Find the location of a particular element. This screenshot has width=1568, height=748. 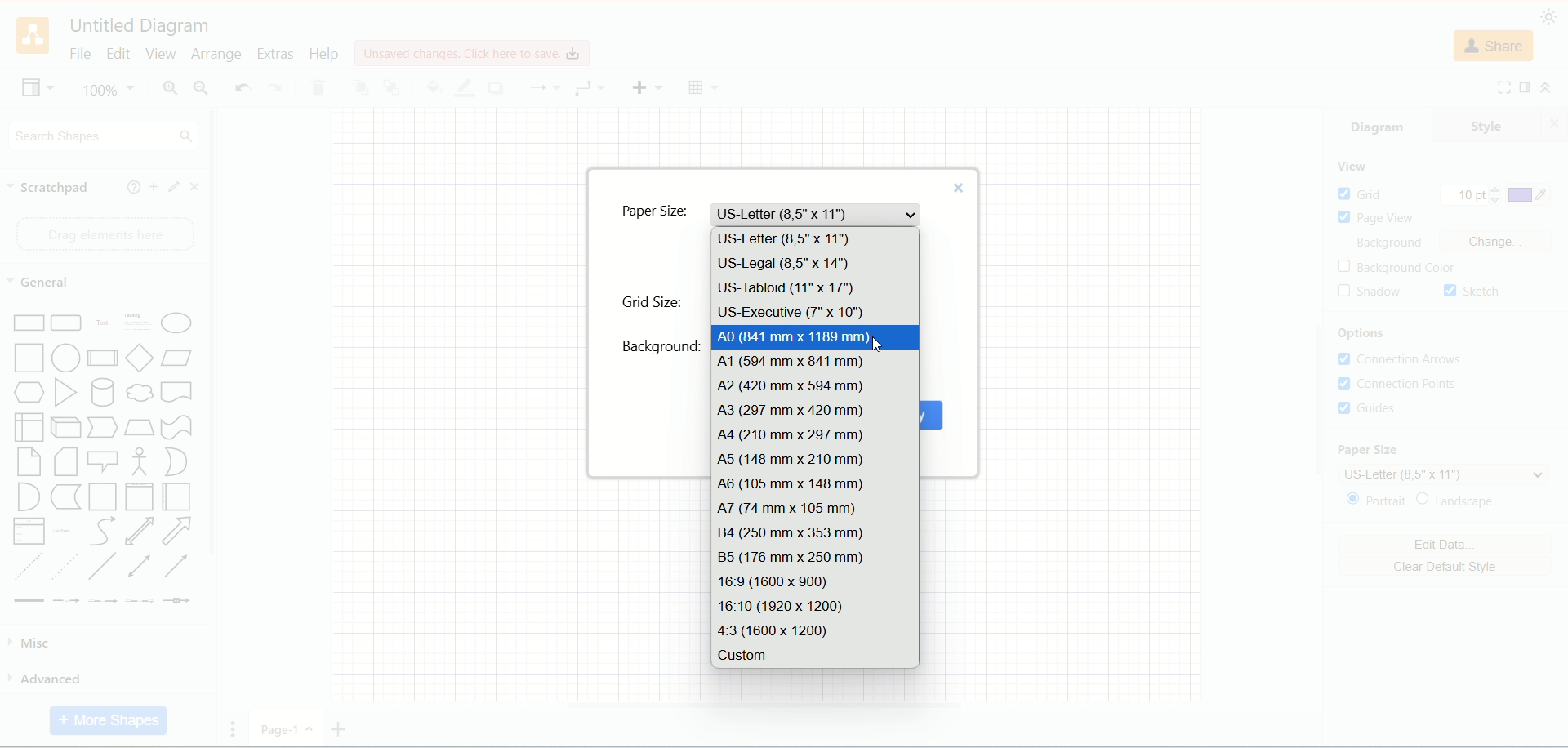

page view is located at coordinates (1380, 218).